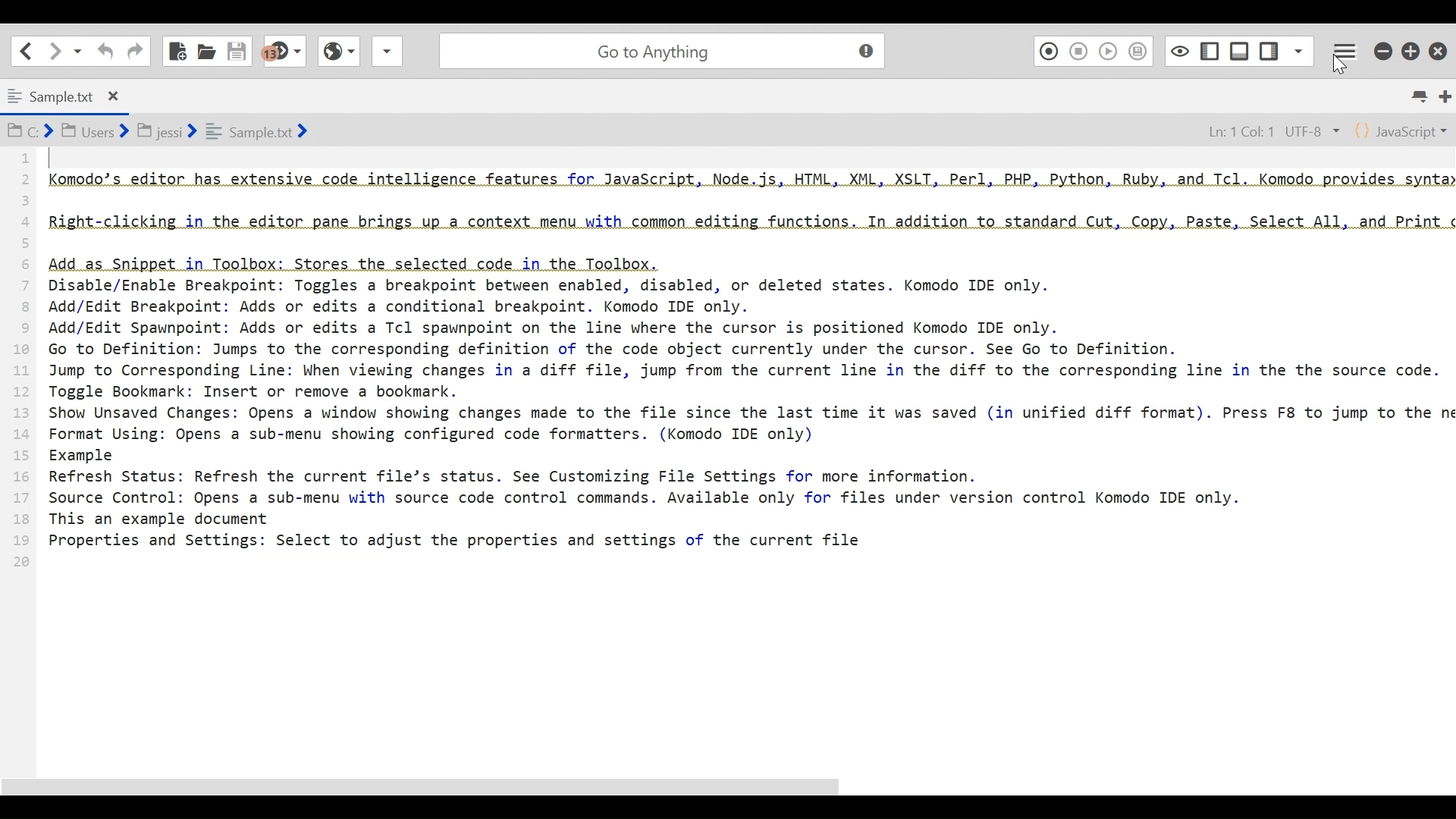  Describe the element at coordinates (1298, 49) in the screenshot. I see `Show specific sidebar` at that location.